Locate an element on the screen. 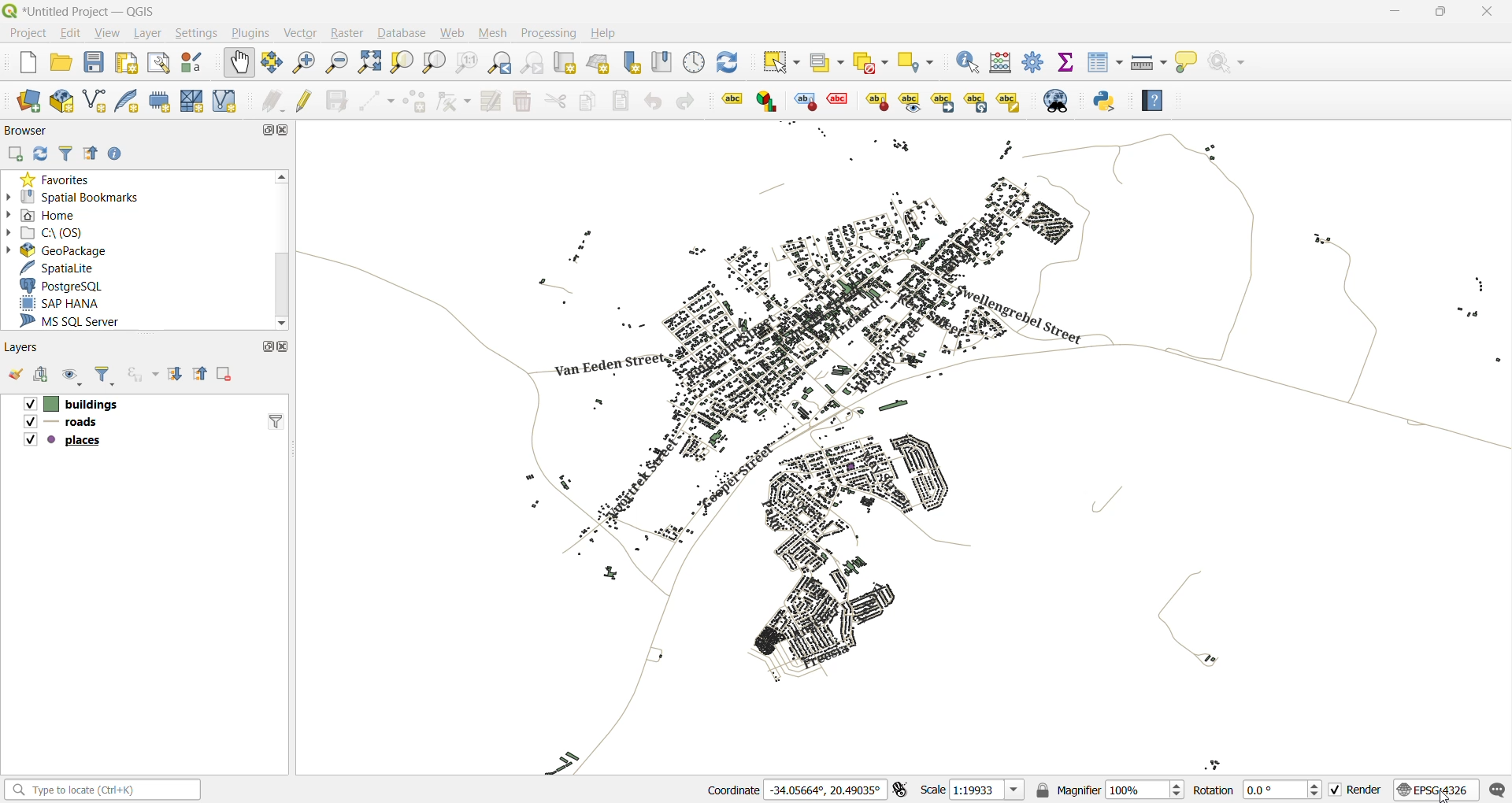 The height and width of the screenshot is (803, 1512). rotate a label is located at coordinates (976, 102).